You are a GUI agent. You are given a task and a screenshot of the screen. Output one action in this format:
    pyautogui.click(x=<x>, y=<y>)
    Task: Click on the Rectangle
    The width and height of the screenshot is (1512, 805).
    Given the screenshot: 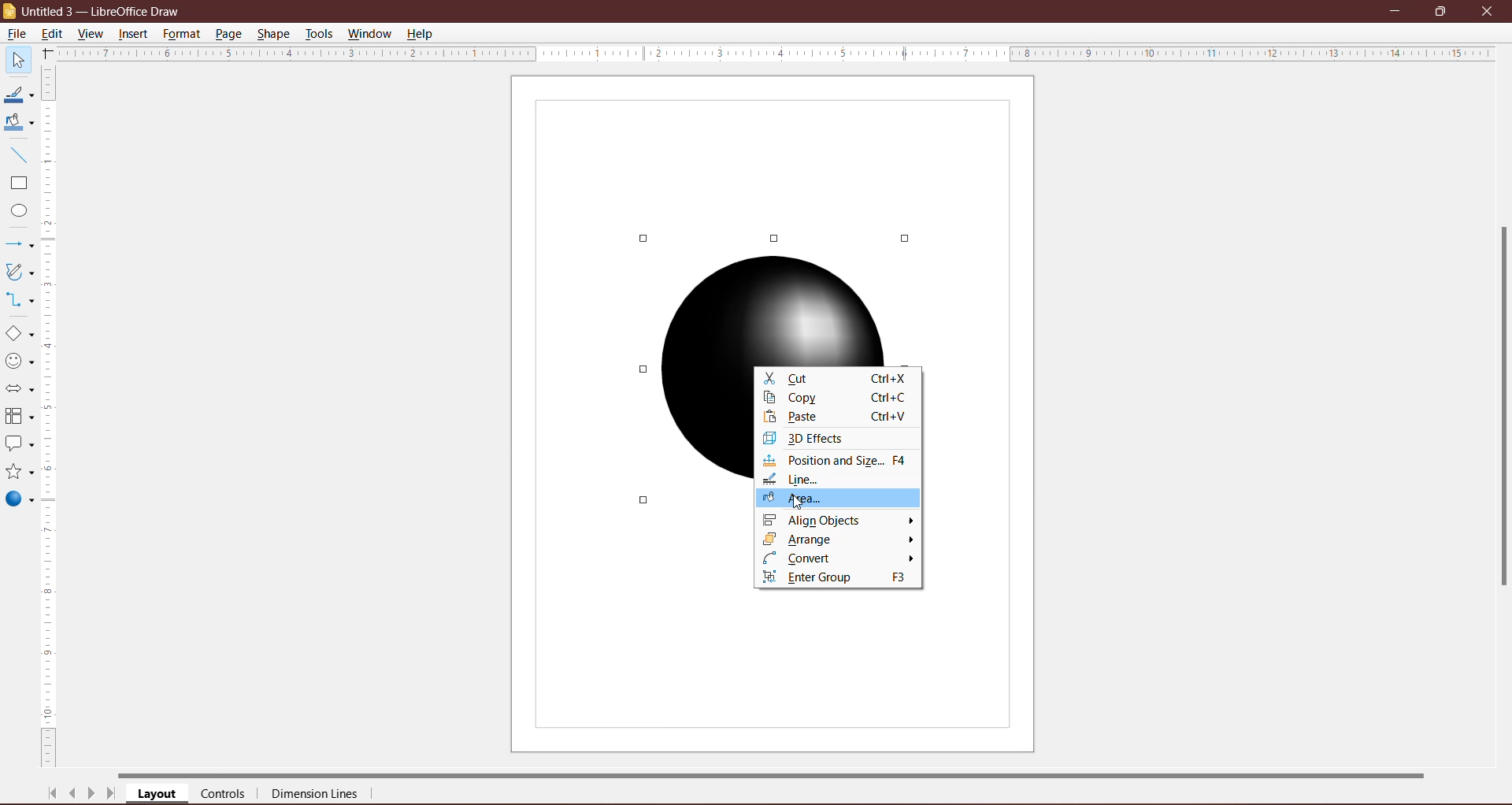 What is the action you would take?
    pyautogui.click(x=17, y=184)
    